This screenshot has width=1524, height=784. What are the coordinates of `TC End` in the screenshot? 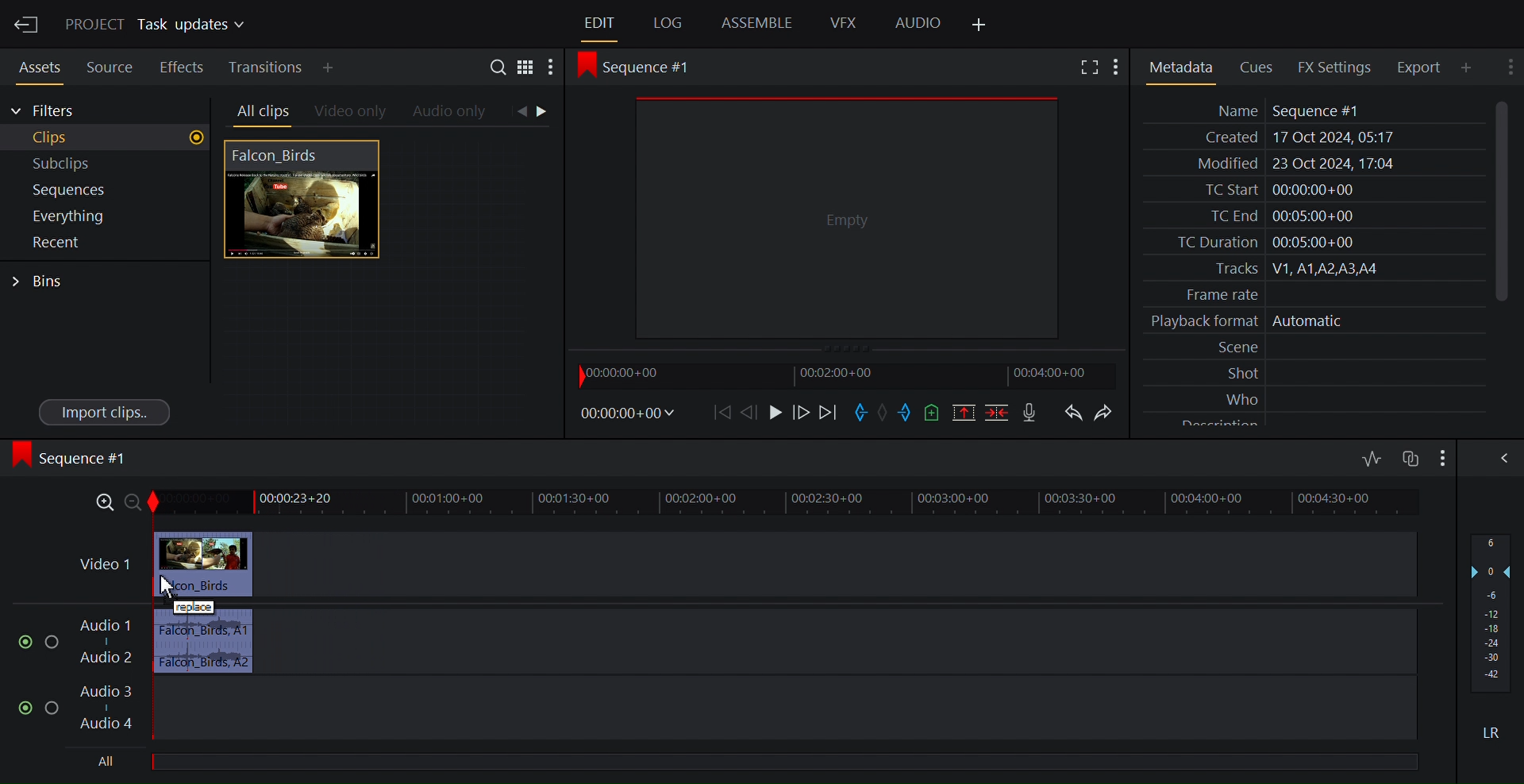 It's located at (1313, 214).